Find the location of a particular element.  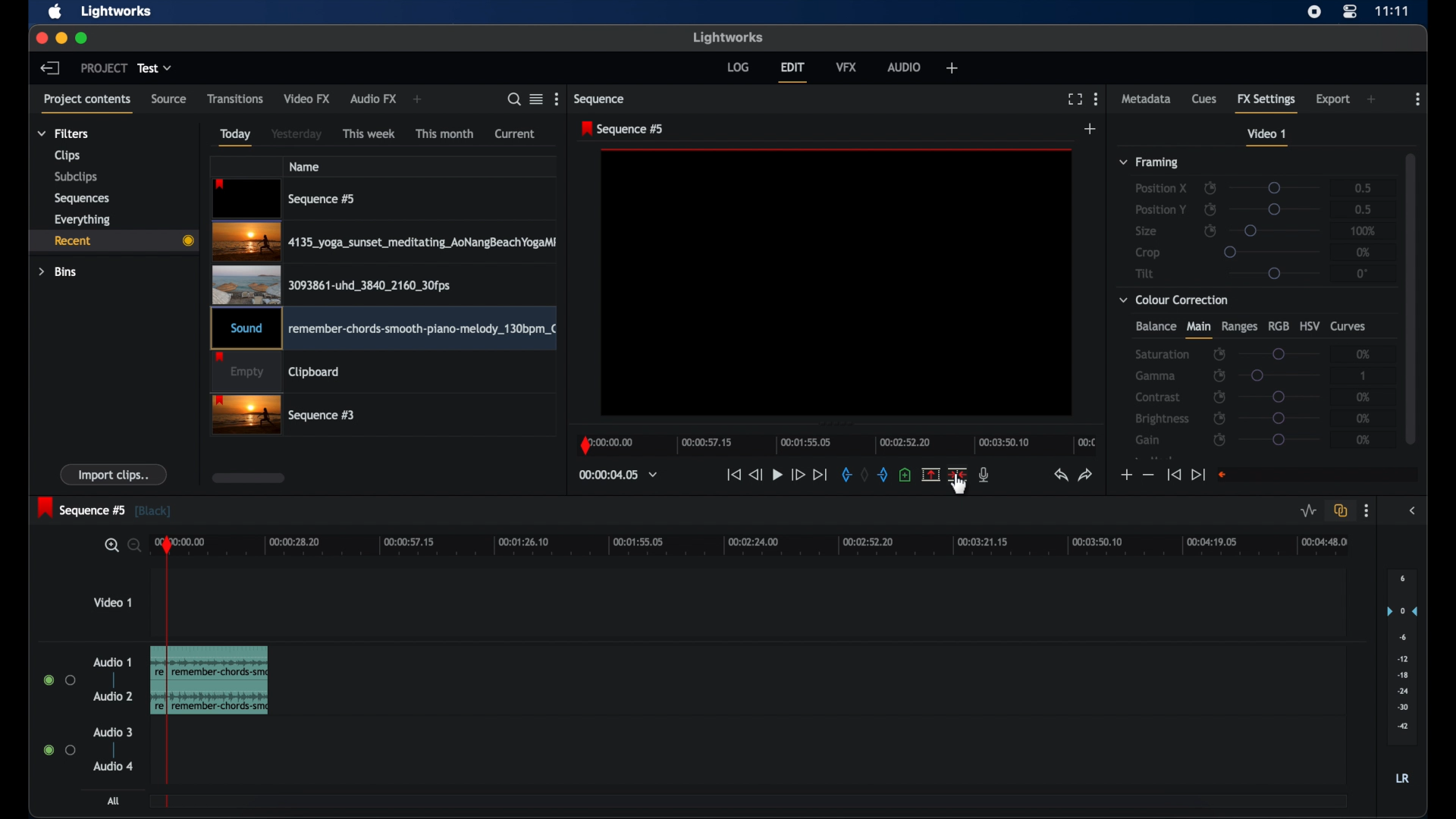

jump to end is located at coordinates (1198, 475).